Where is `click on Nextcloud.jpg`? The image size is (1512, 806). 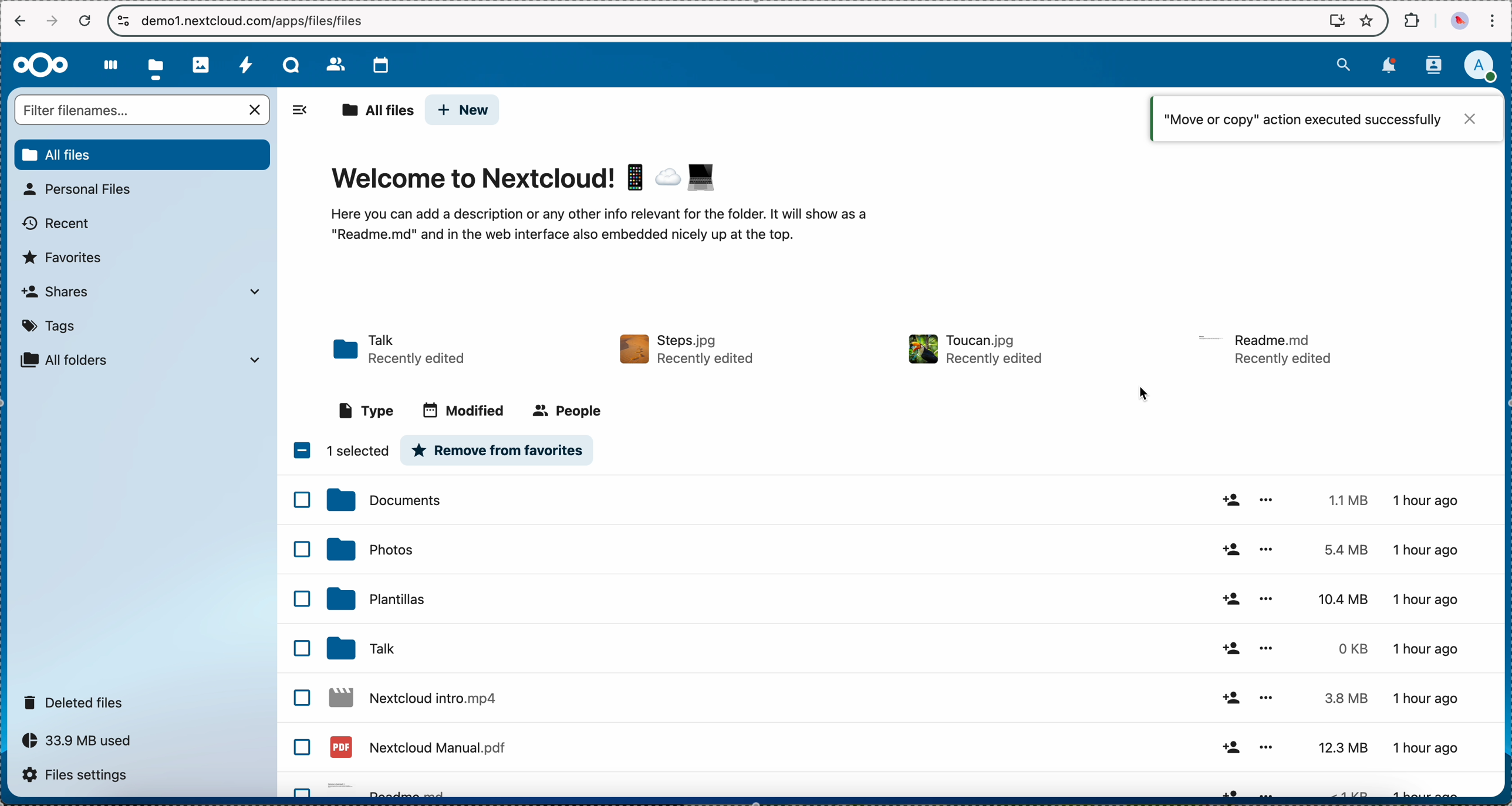
click on Nextcloud.jpg is located at coordinates (895, 649).